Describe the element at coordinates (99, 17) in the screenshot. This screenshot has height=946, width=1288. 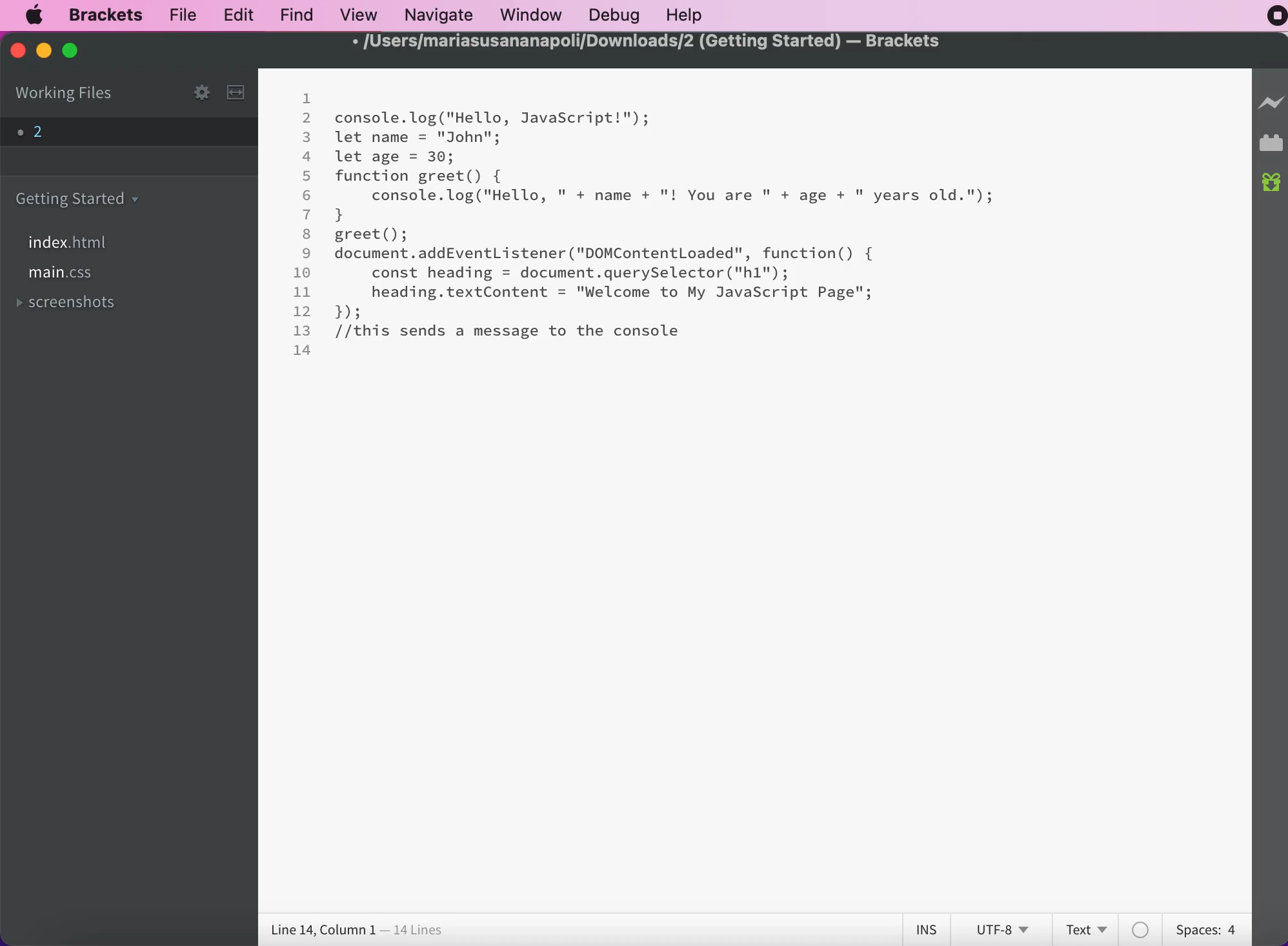
I see `brackets` at that location.